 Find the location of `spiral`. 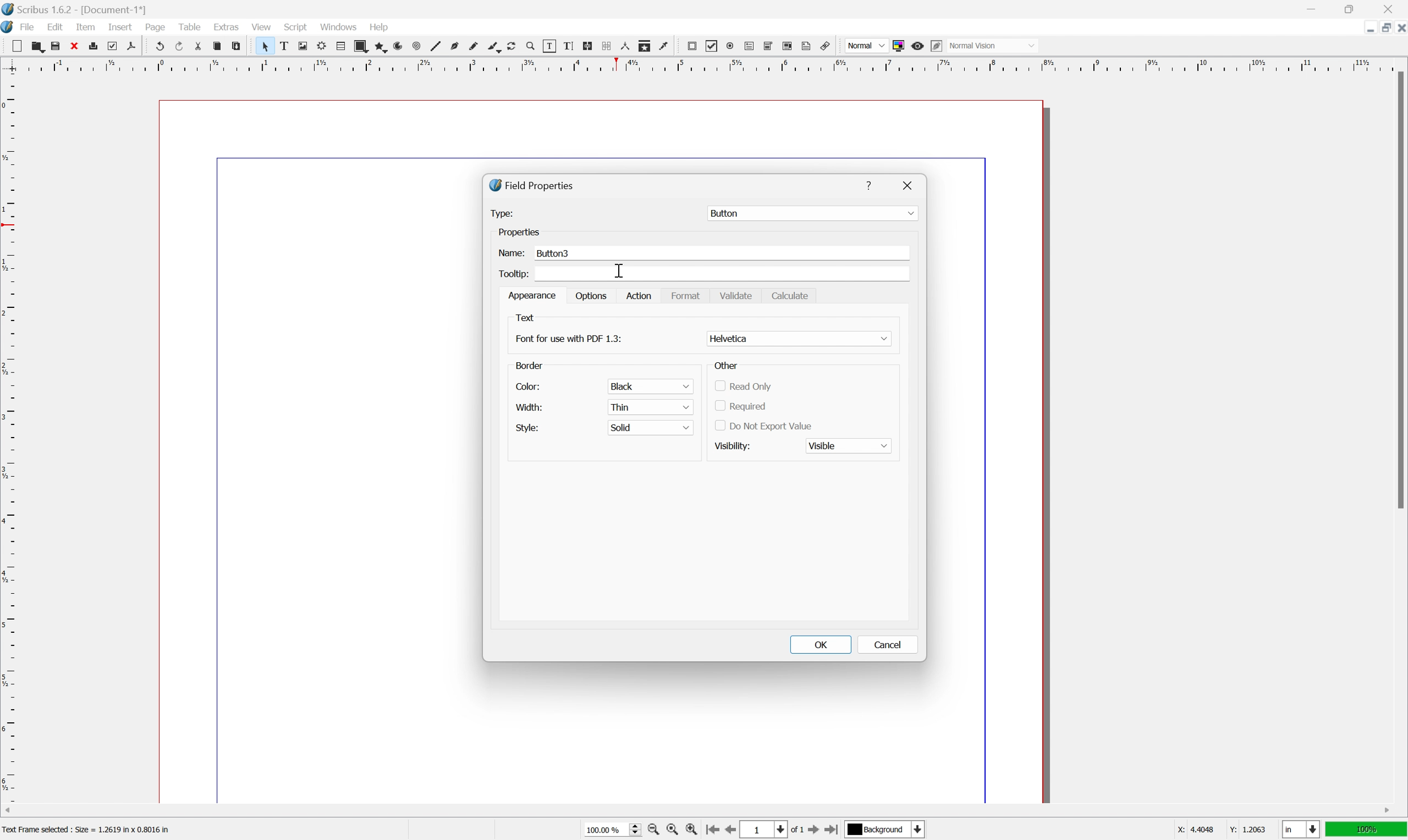

spiral is located at coordinates (417, 46).